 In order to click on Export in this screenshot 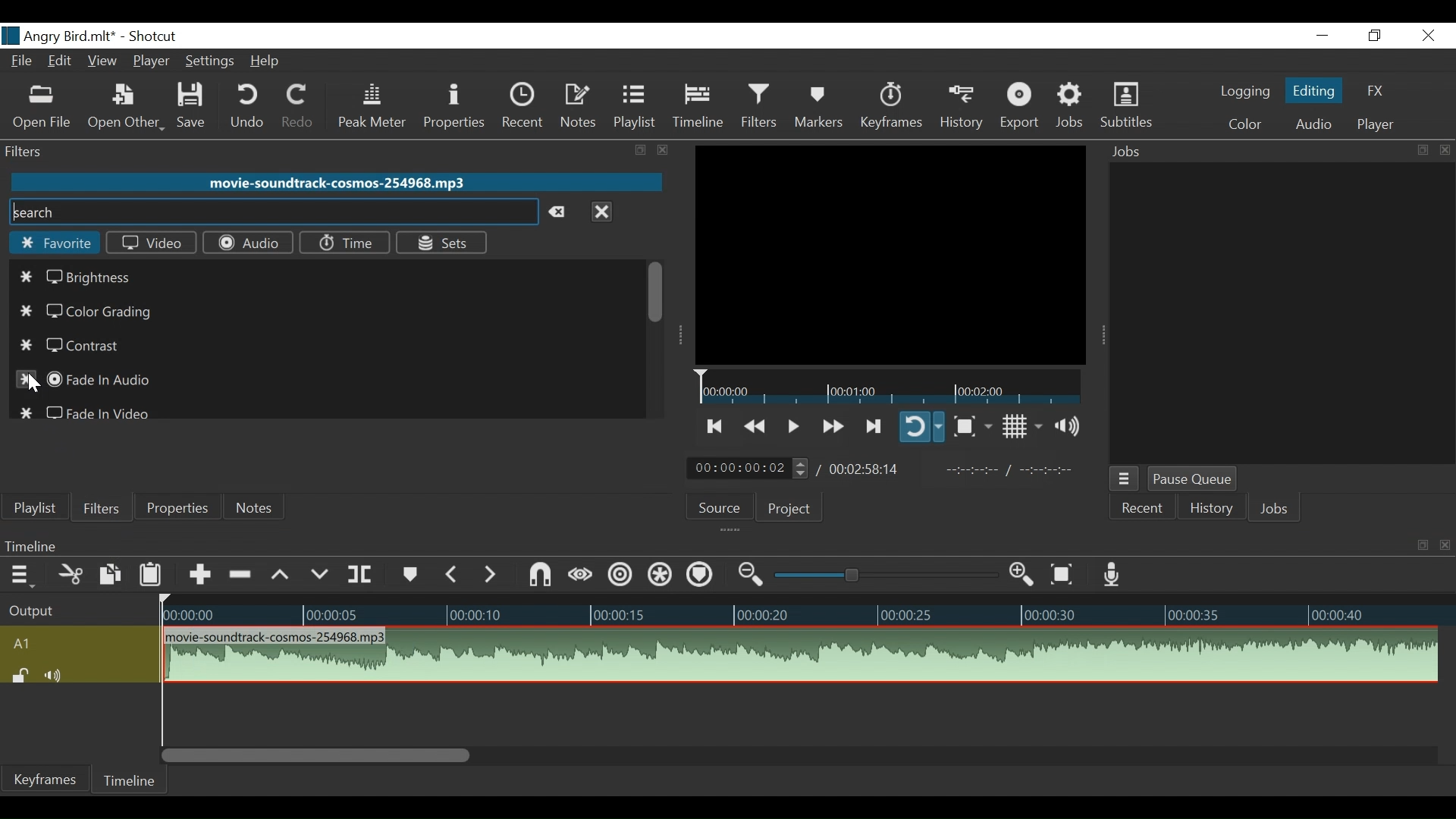, I will do `click(1021, 108)`.